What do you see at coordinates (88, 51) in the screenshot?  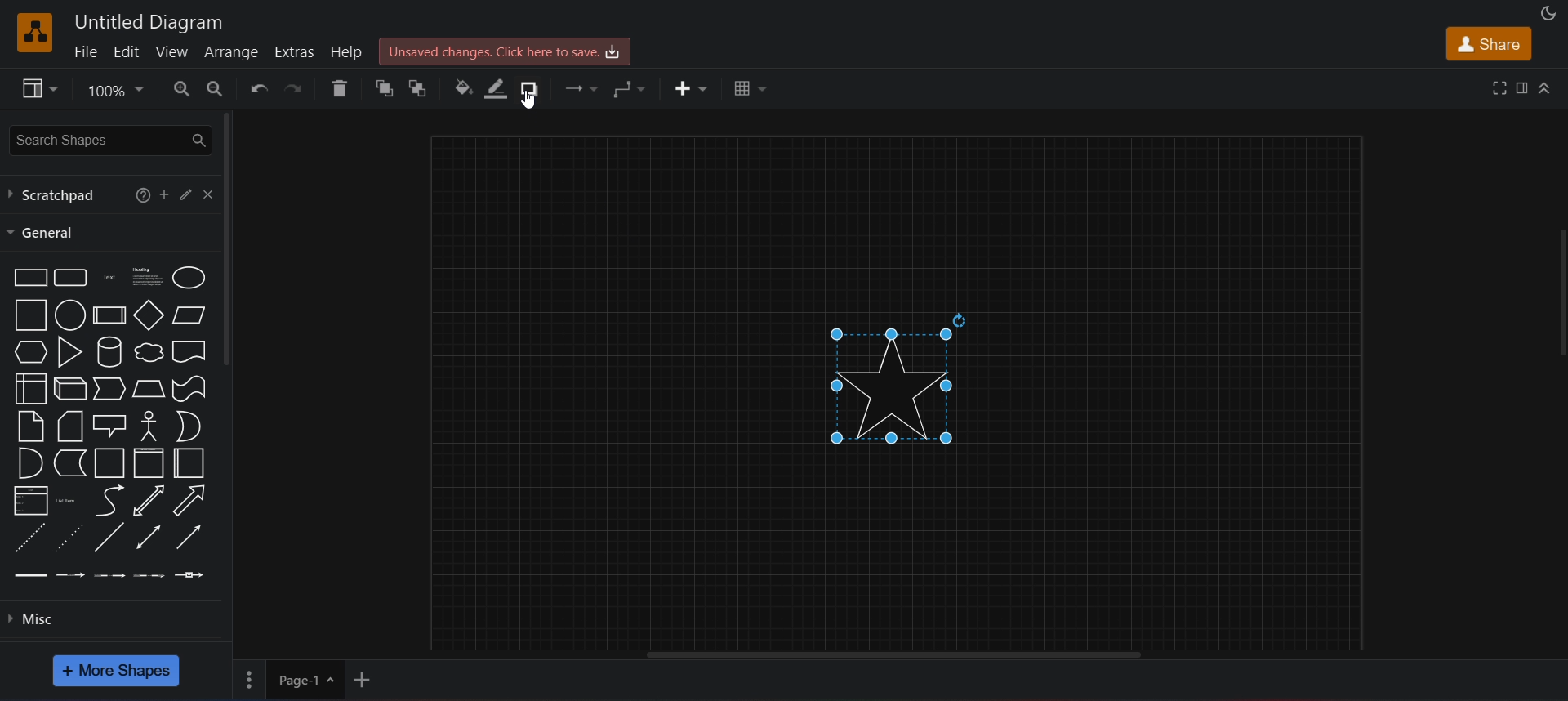 I see `file` at bounding box center [88, 51].